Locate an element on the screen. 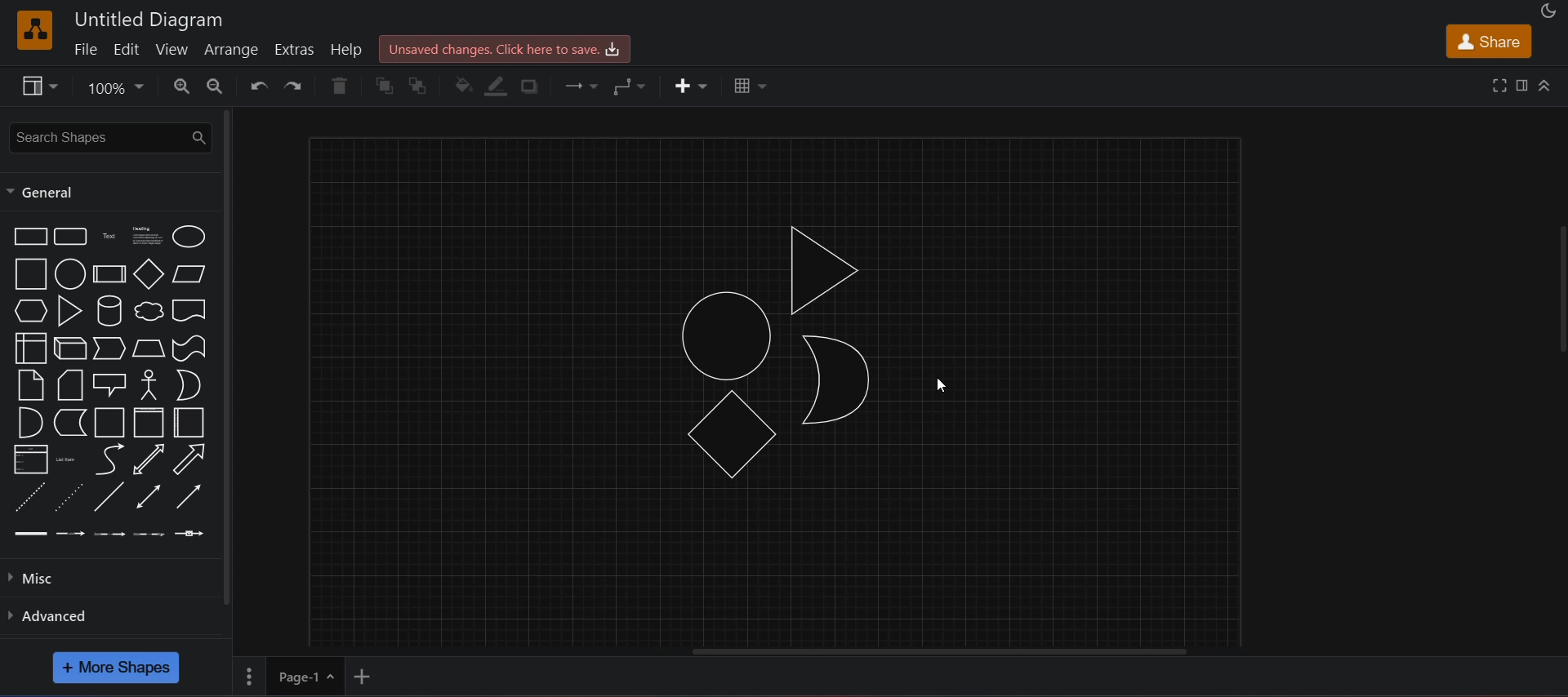  cylinder is located at coordinates (110, 311).